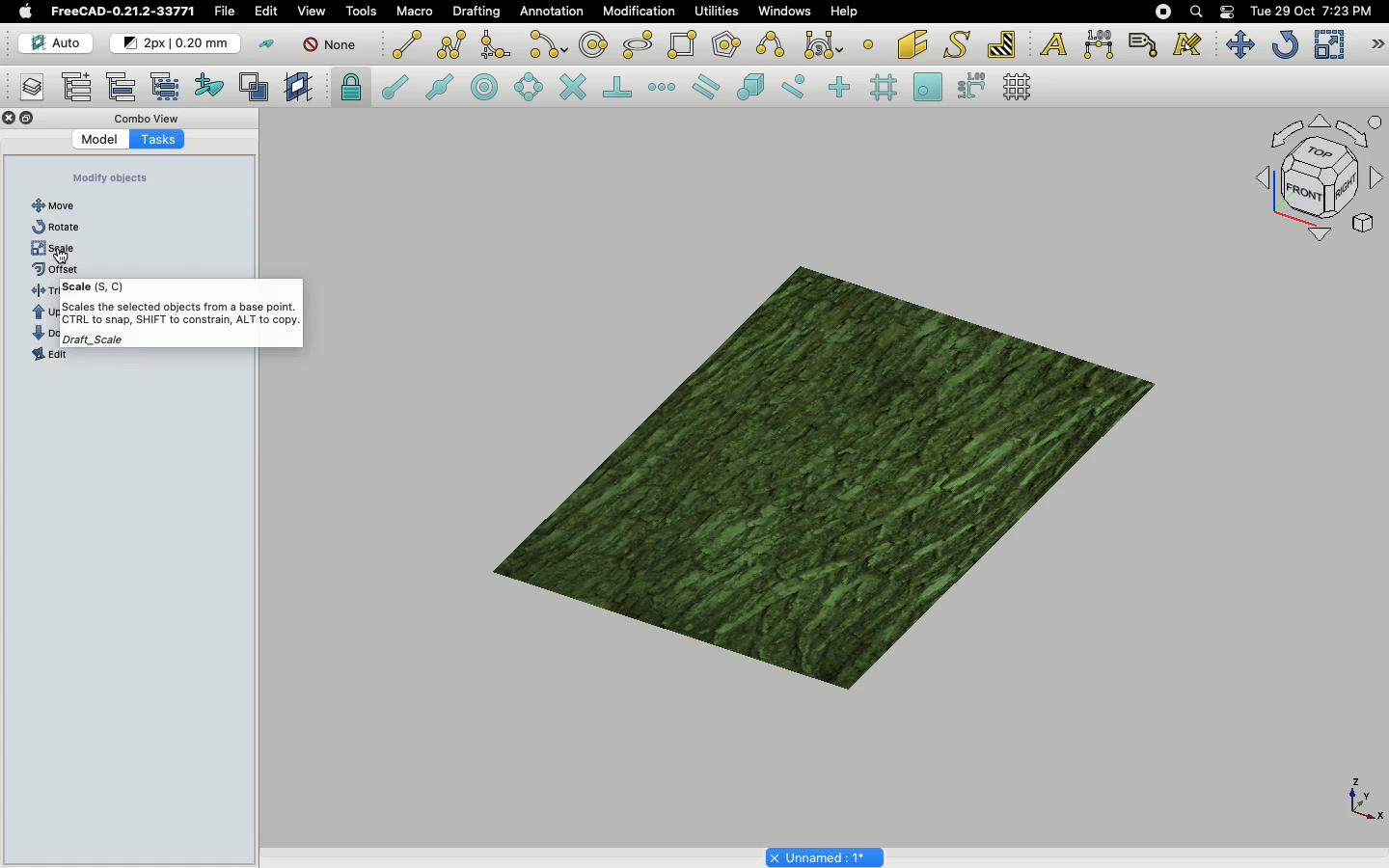  I want to click on Facebinder, so click(912, 43).